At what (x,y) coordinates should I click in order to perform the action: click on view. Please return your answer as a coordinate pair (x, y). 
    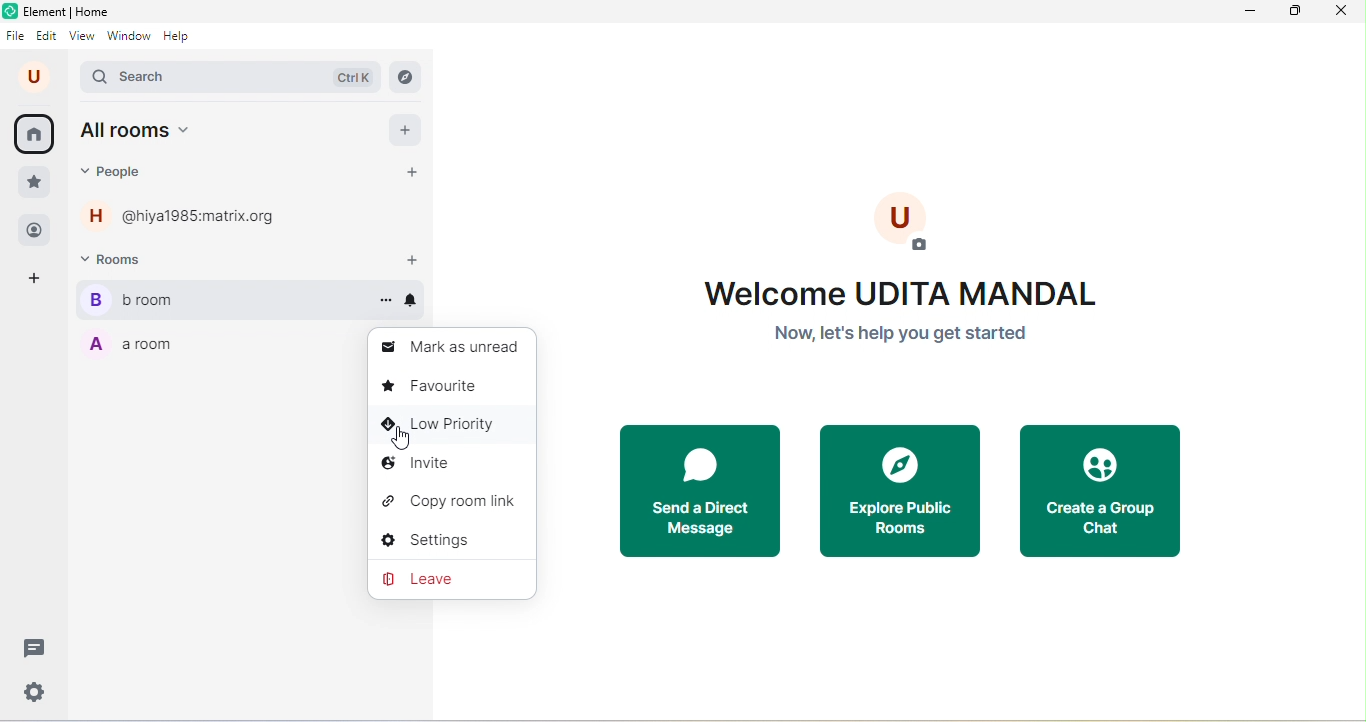
    Looking at the image, I should click on (80, 36).